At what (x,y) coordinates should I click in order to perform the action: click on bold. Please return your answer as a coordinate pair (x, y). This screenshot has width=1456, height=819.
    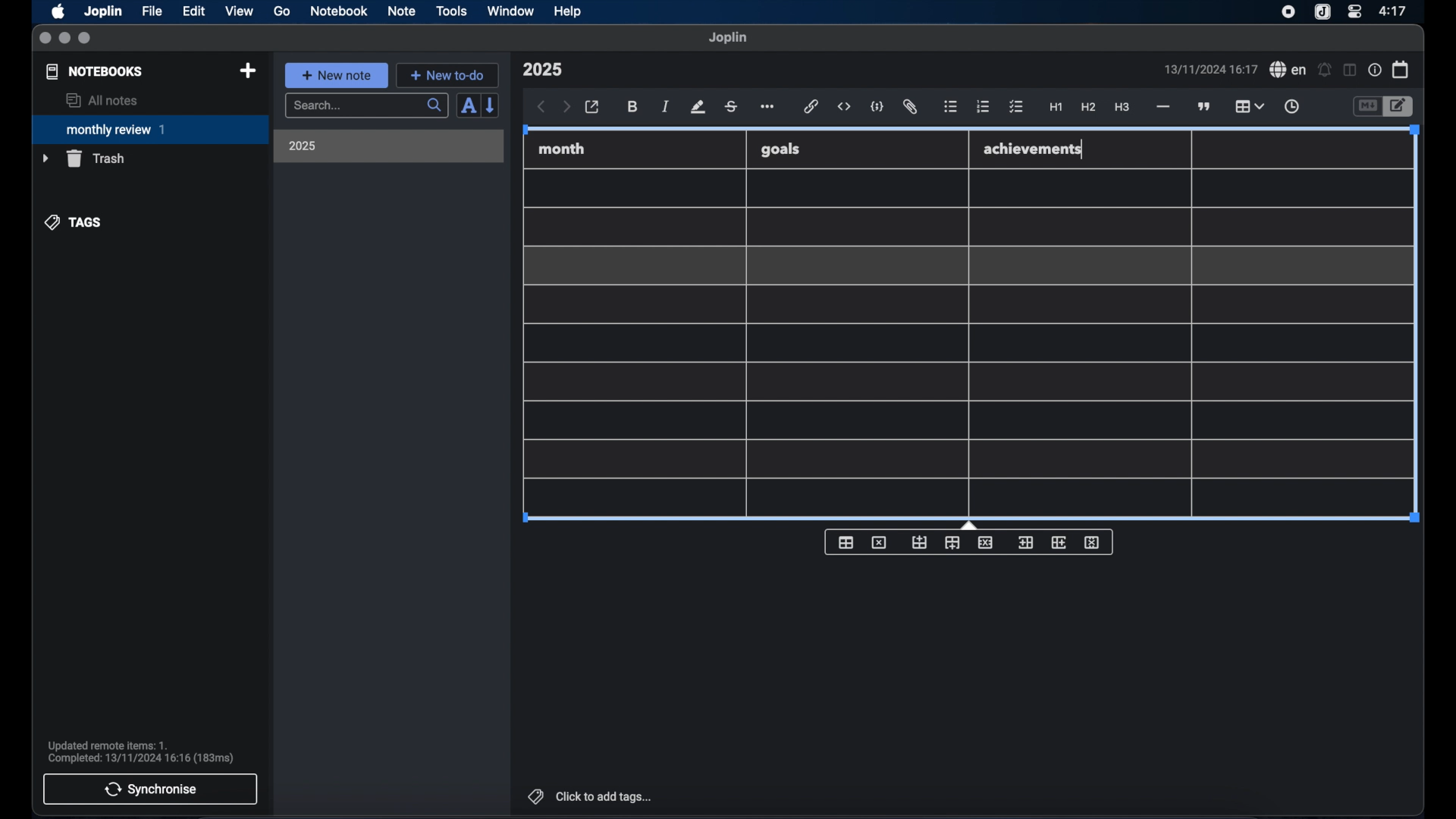
    Looking at the image, I should click on (634, 107).